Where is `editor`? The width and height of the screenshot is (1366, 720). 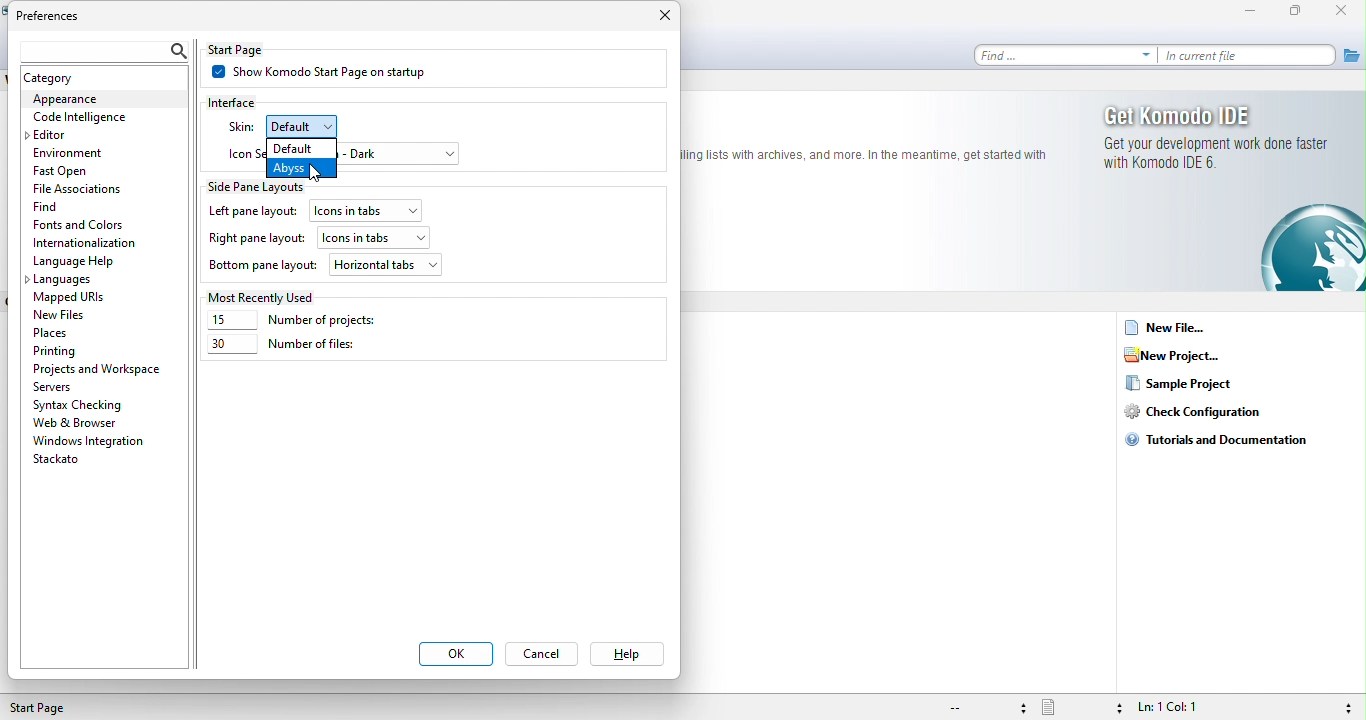
editor is located at coordinates (60, 135).